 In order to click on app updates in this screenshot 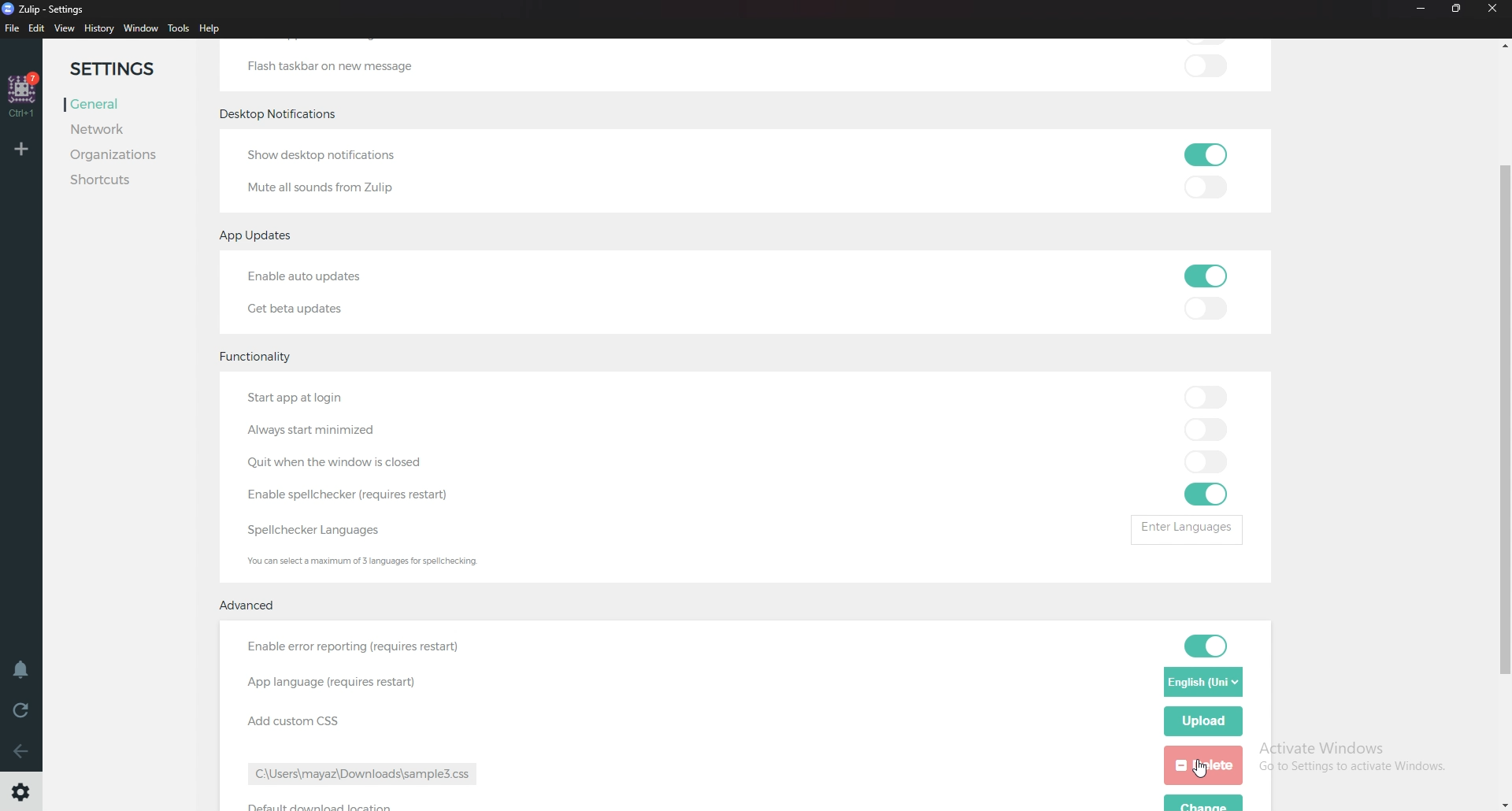, I will do `click(258, 235)`.